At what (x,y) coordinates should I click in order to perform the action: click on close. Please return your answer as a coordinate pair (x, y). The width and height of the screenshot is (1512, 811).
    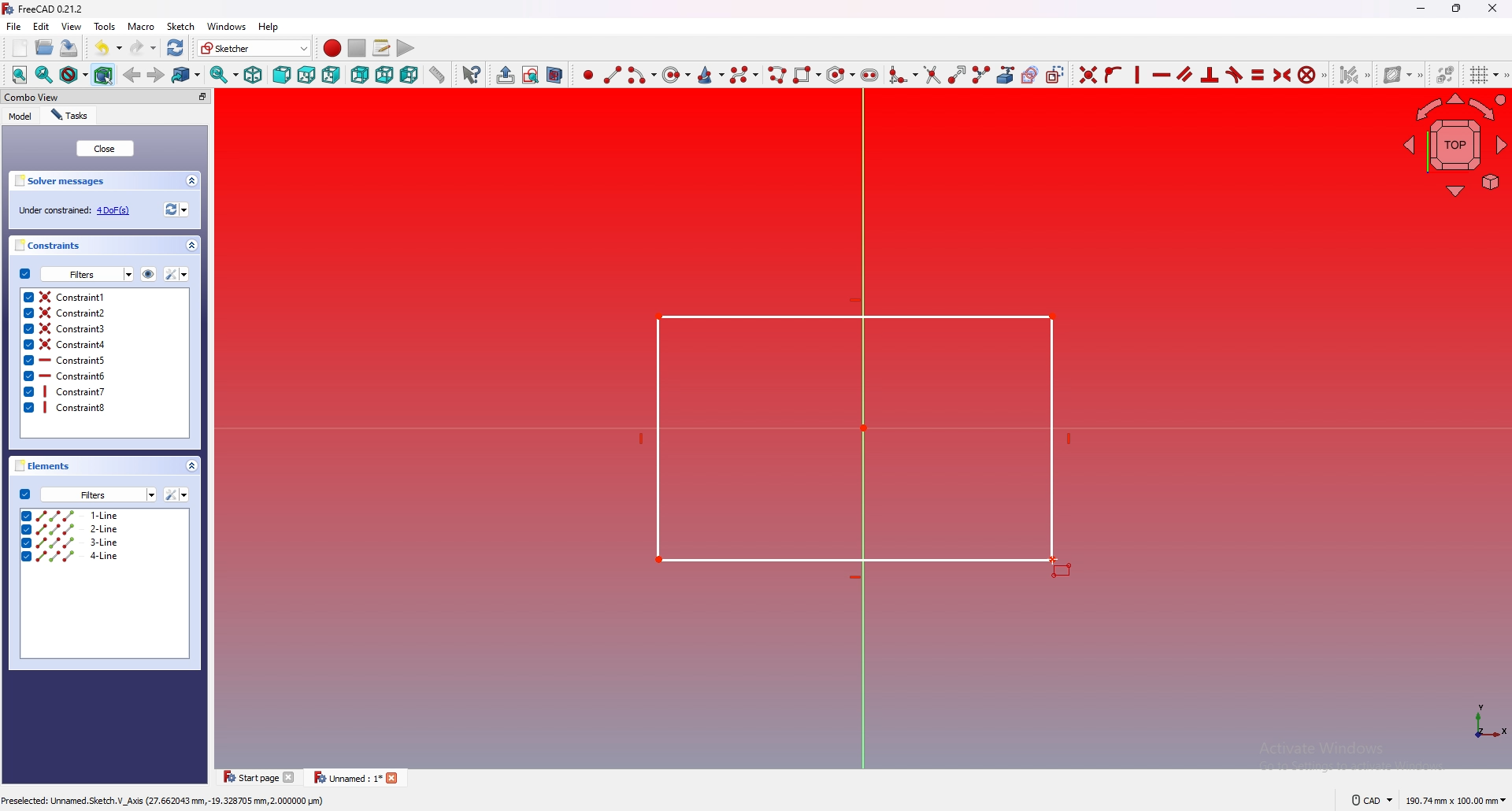
    Looking at the image, I should click on (1489, 9).